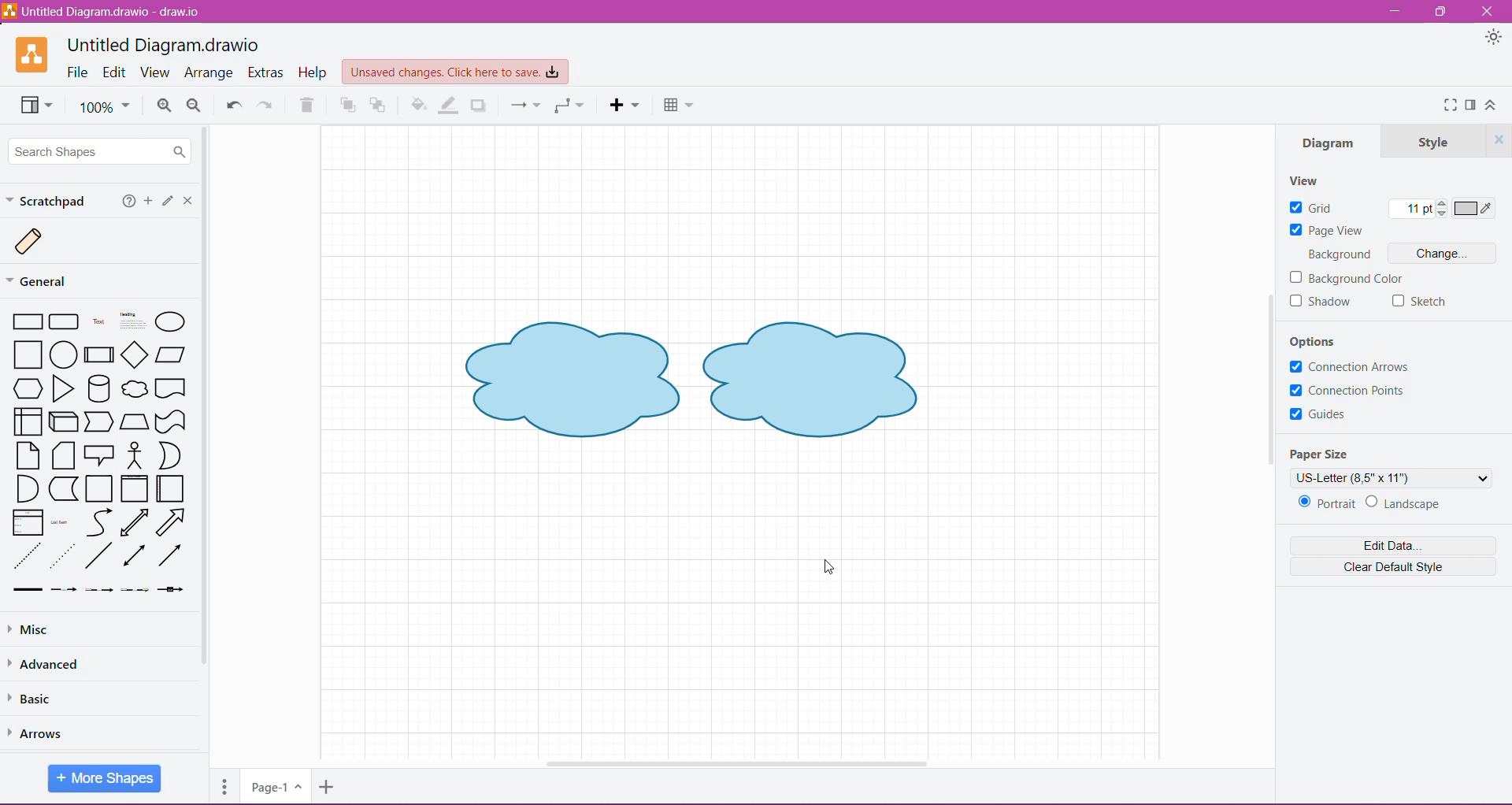  I want to click on Edit Data, so click(1388, 547).